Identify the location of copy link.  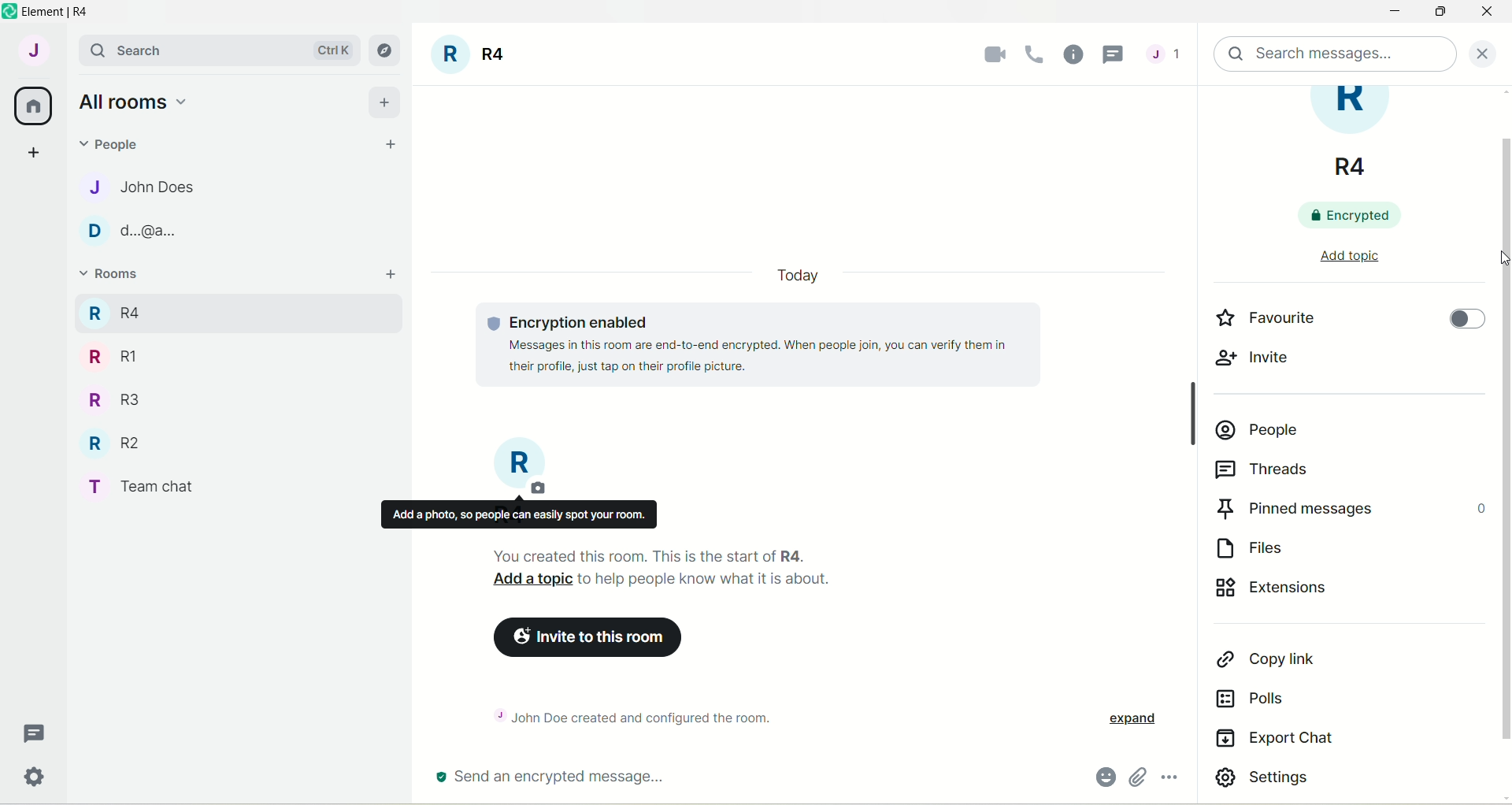
(1266, 661).